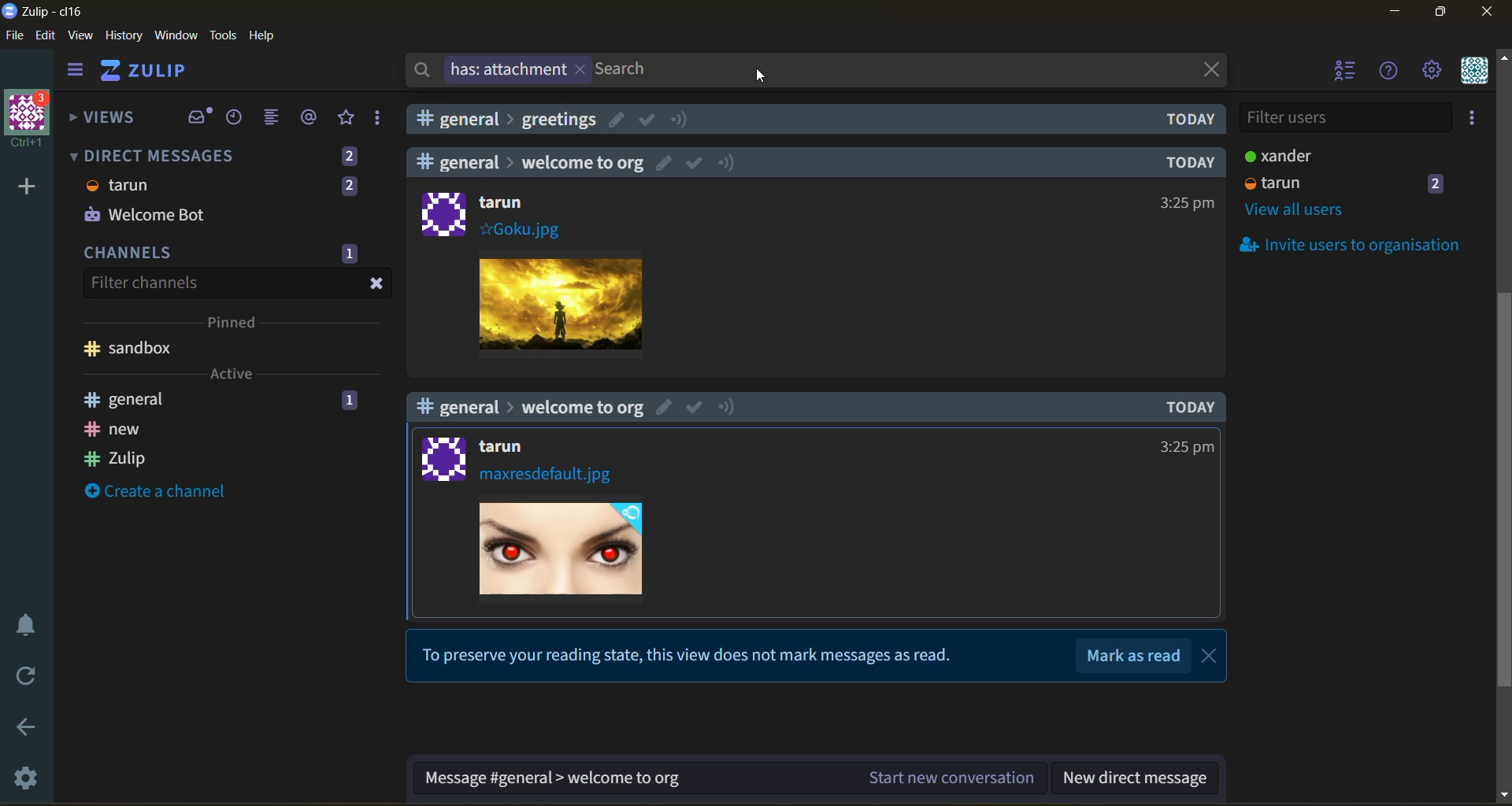 Image resolution: width=1512 pixels, height=806 pixels. What do you see at coordinates (31, 730) in the screenshot?
I see `go back` at bounding box center [31, 730].